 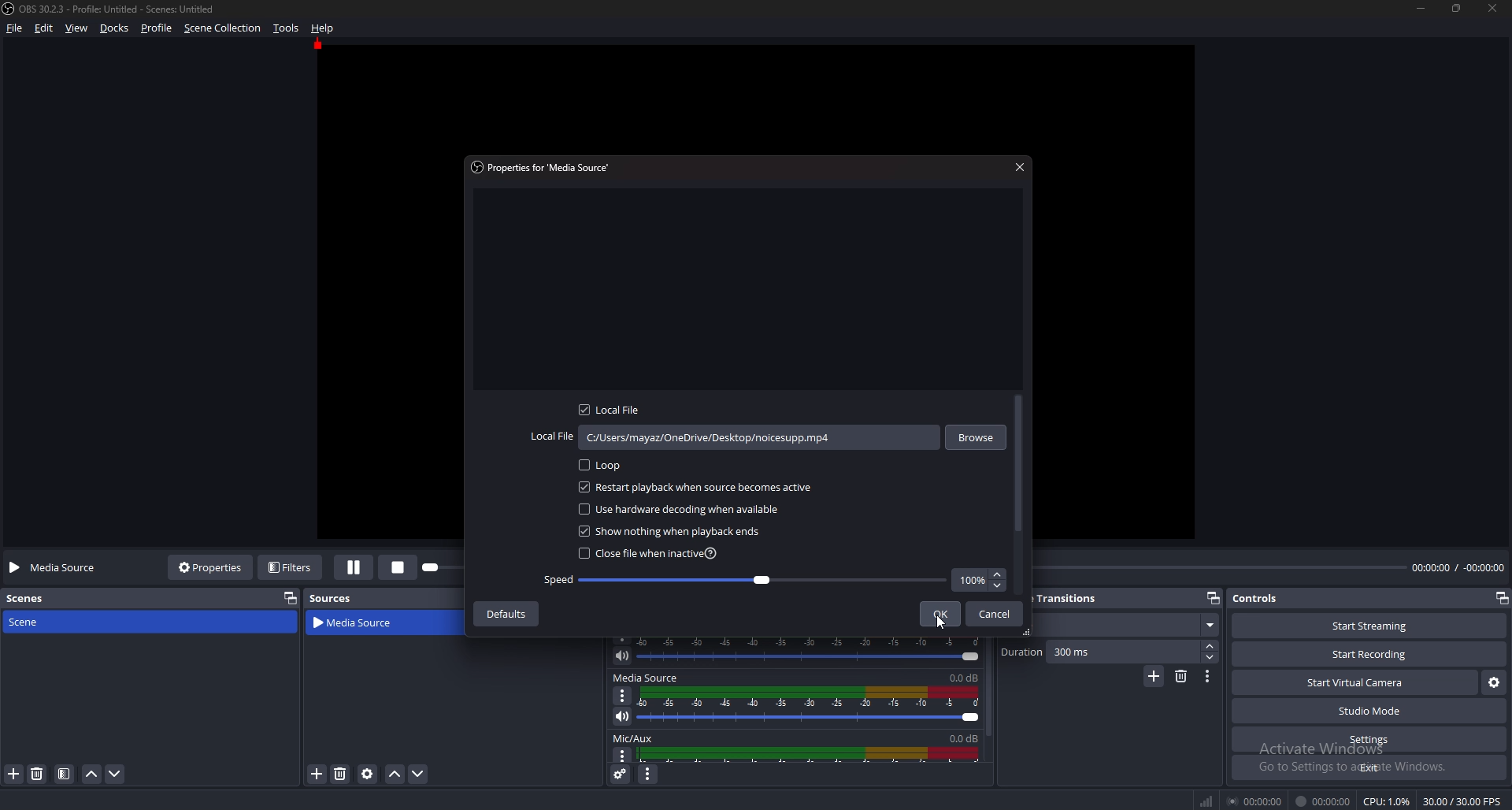 What do you see at coordinates (650, 554) in the screenshot?
I see `Close file when inactive` at bounding box center [650, 554].